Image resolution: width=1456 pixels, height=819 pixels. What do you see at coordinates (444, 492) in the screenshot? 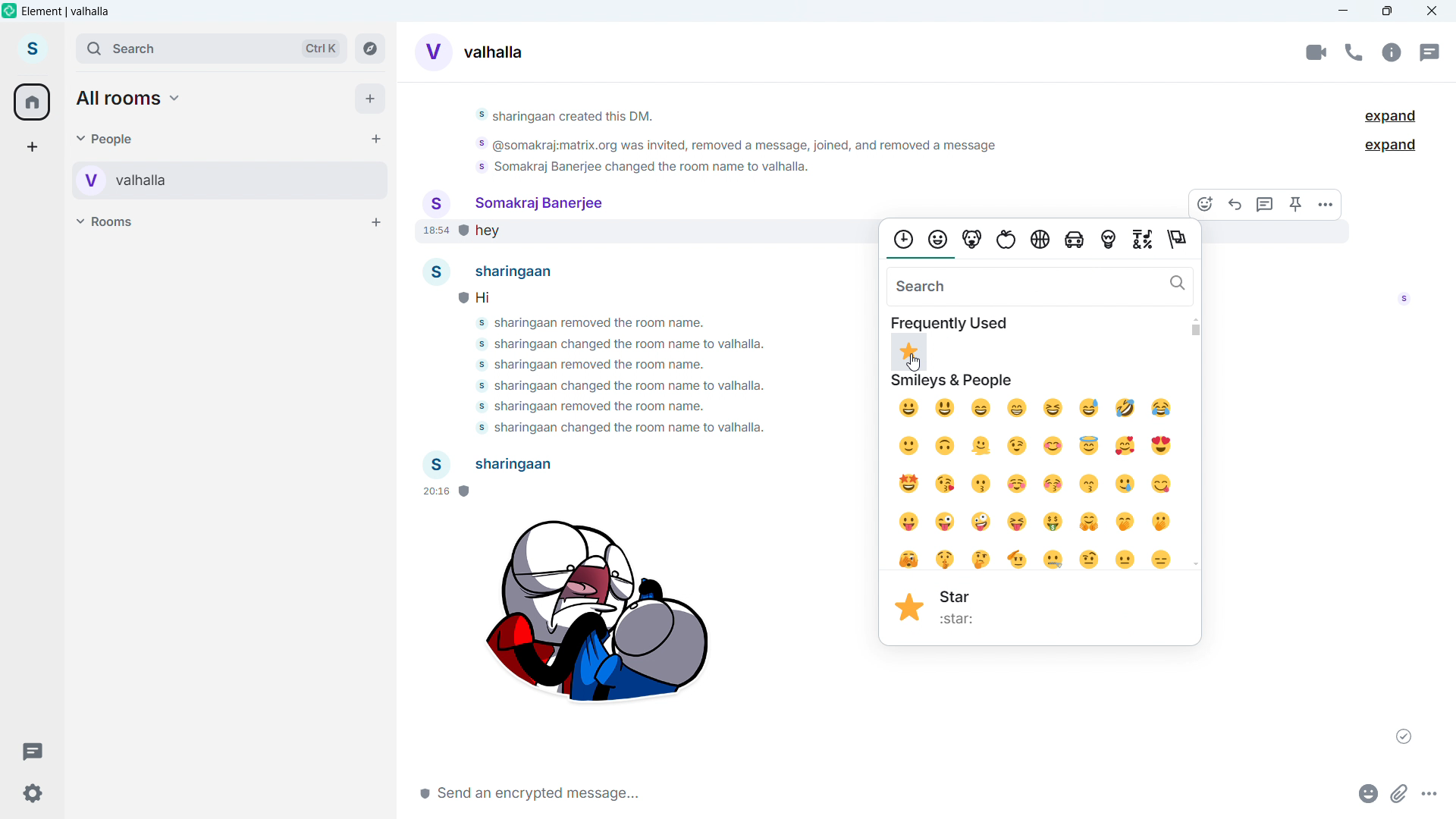
I see `Time of sending` at bounding box center [444, 492].